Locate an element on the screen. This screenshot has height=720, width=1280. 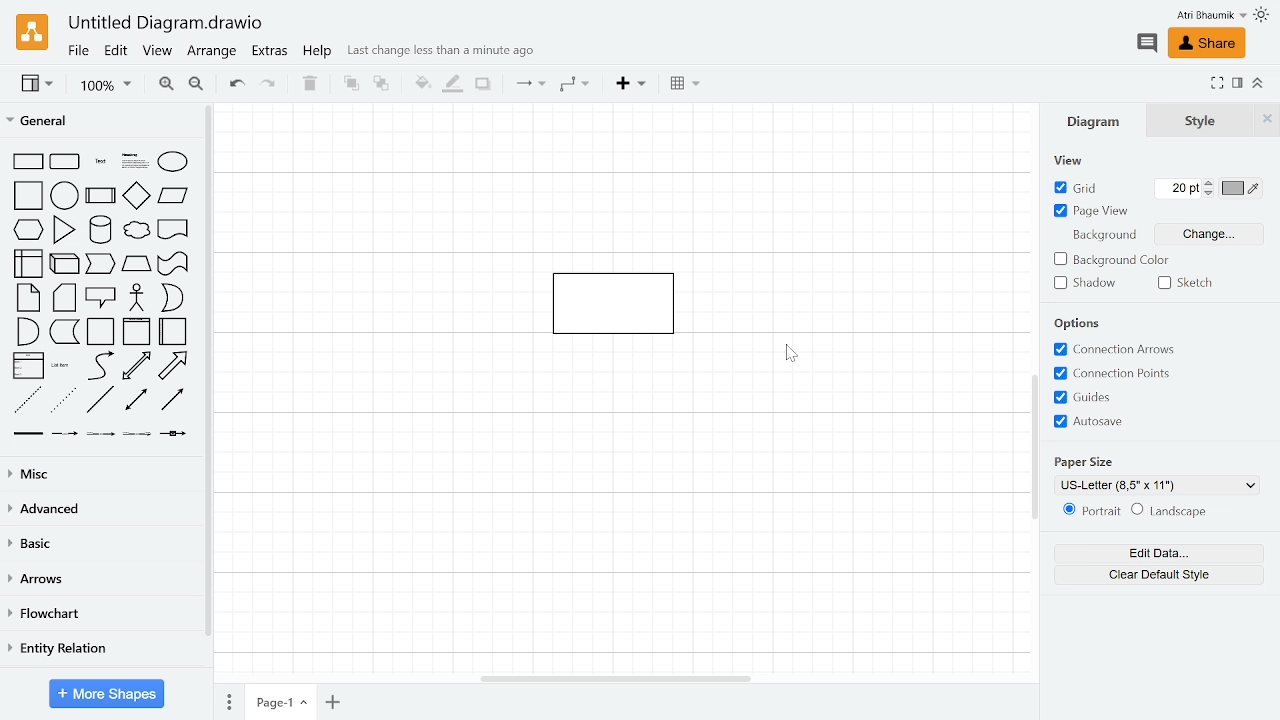
Increase grid pts is located at coordinates (1210, 183).